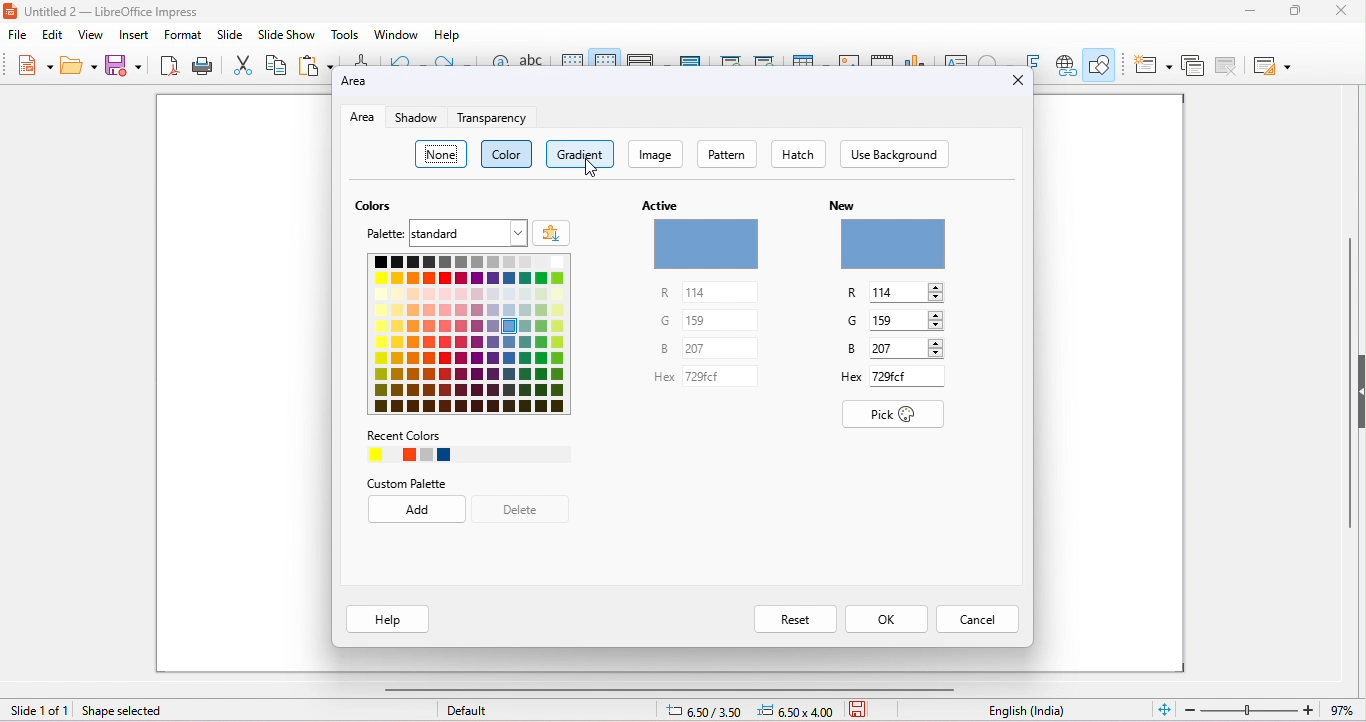  What do you see at coordinates (366, 84) in the screenshot?
I see `area` at bounding box center [366, 84].